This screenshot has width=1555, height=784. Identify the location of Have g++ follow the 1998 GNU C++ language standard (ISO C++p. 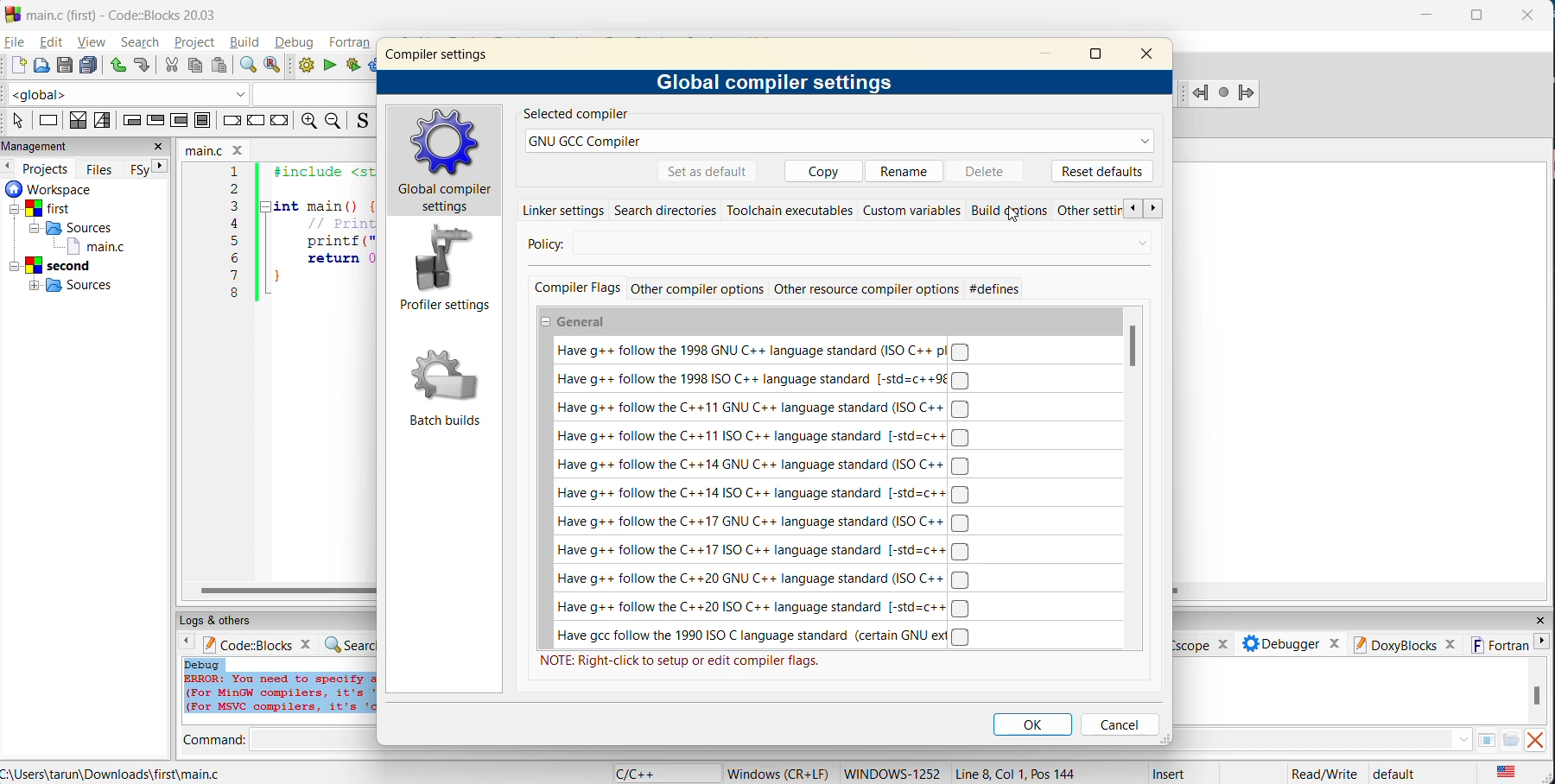
(768, 351).